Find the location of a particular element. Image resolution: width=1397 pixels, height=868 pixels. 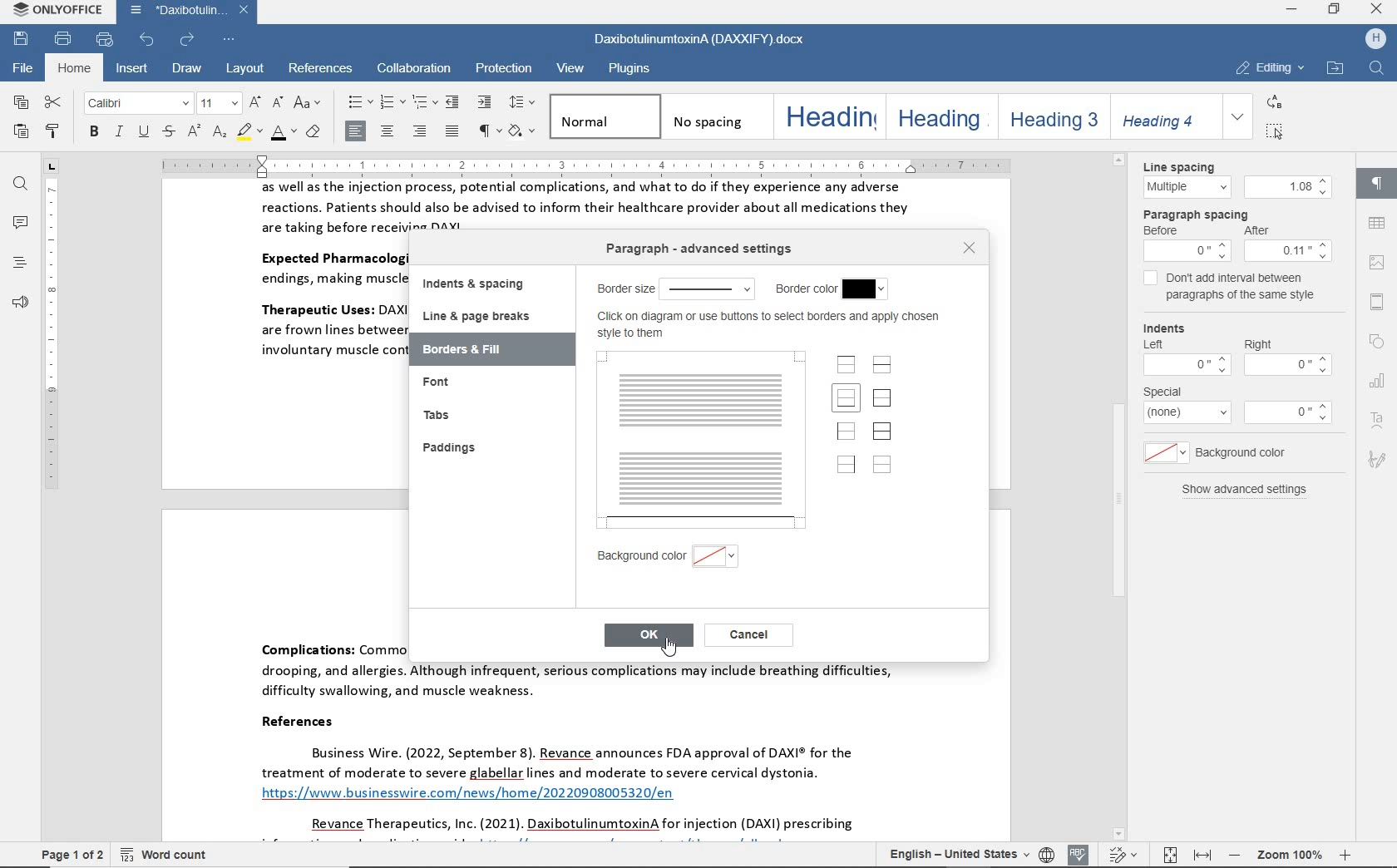

set top borders only is located at coordinates (847, 364).